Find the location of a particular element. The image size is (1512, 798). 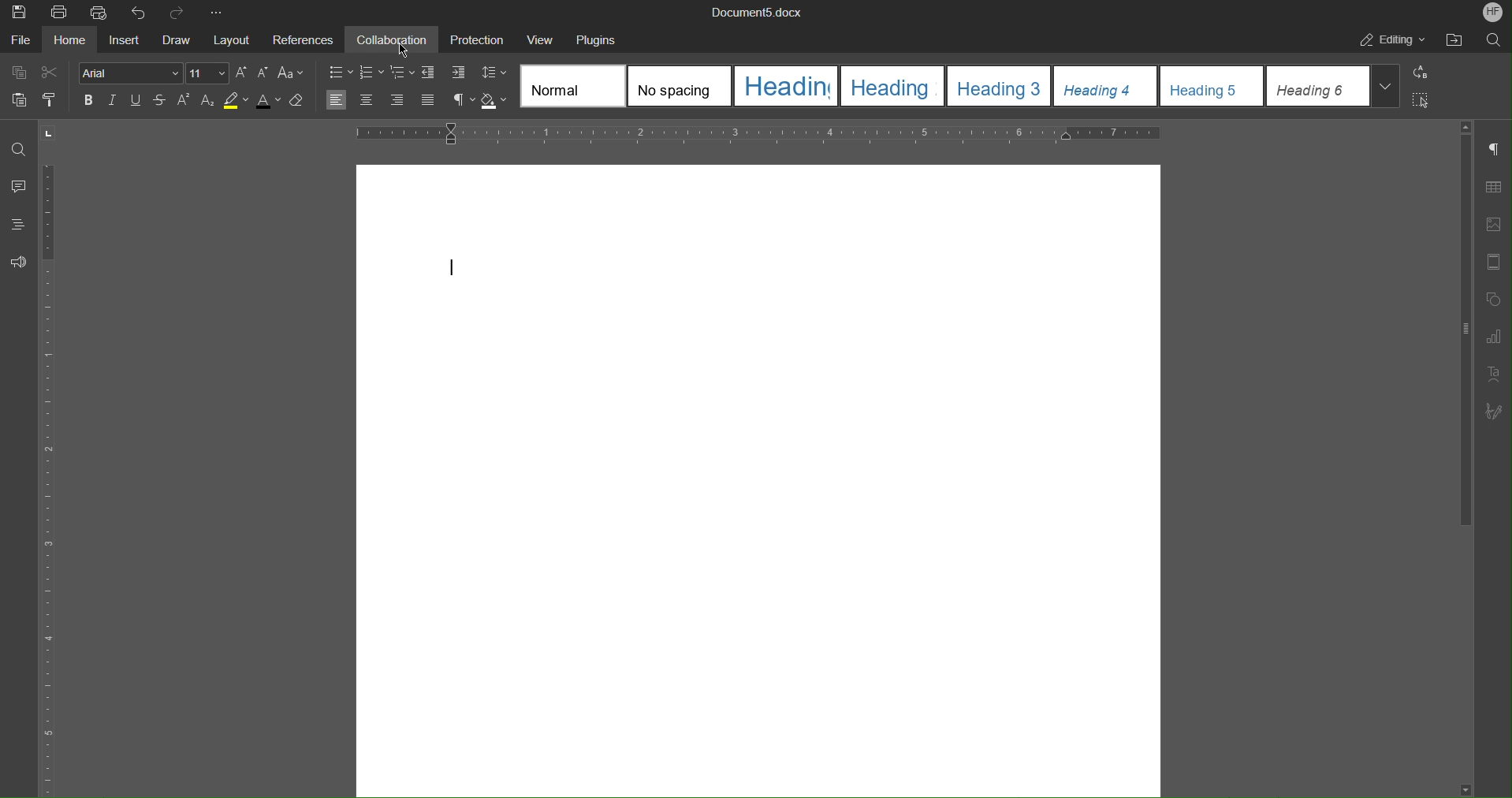

page is located at coordinates (758, 476).